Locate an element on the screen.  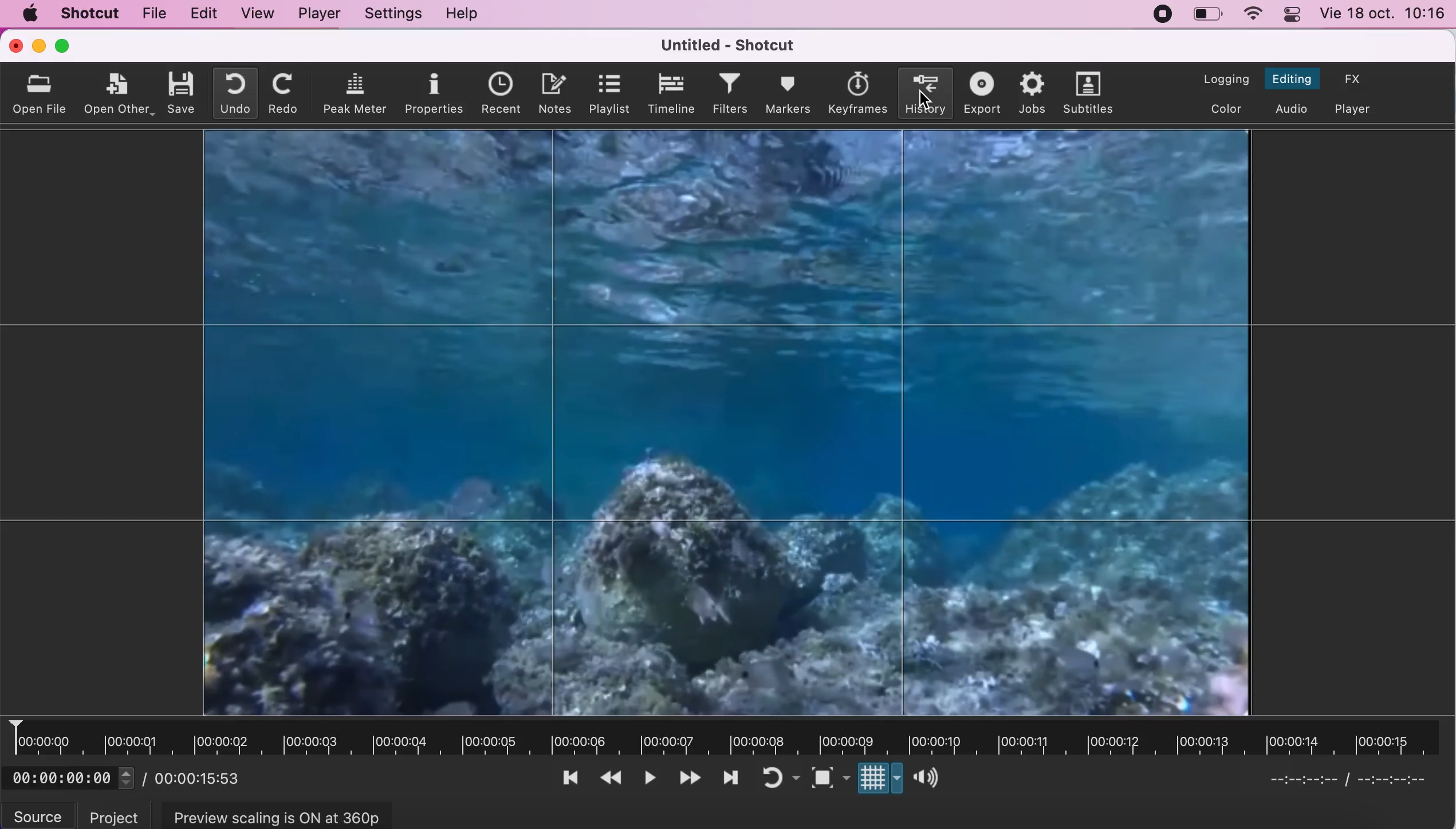
help is located at coordinates (466, 13).